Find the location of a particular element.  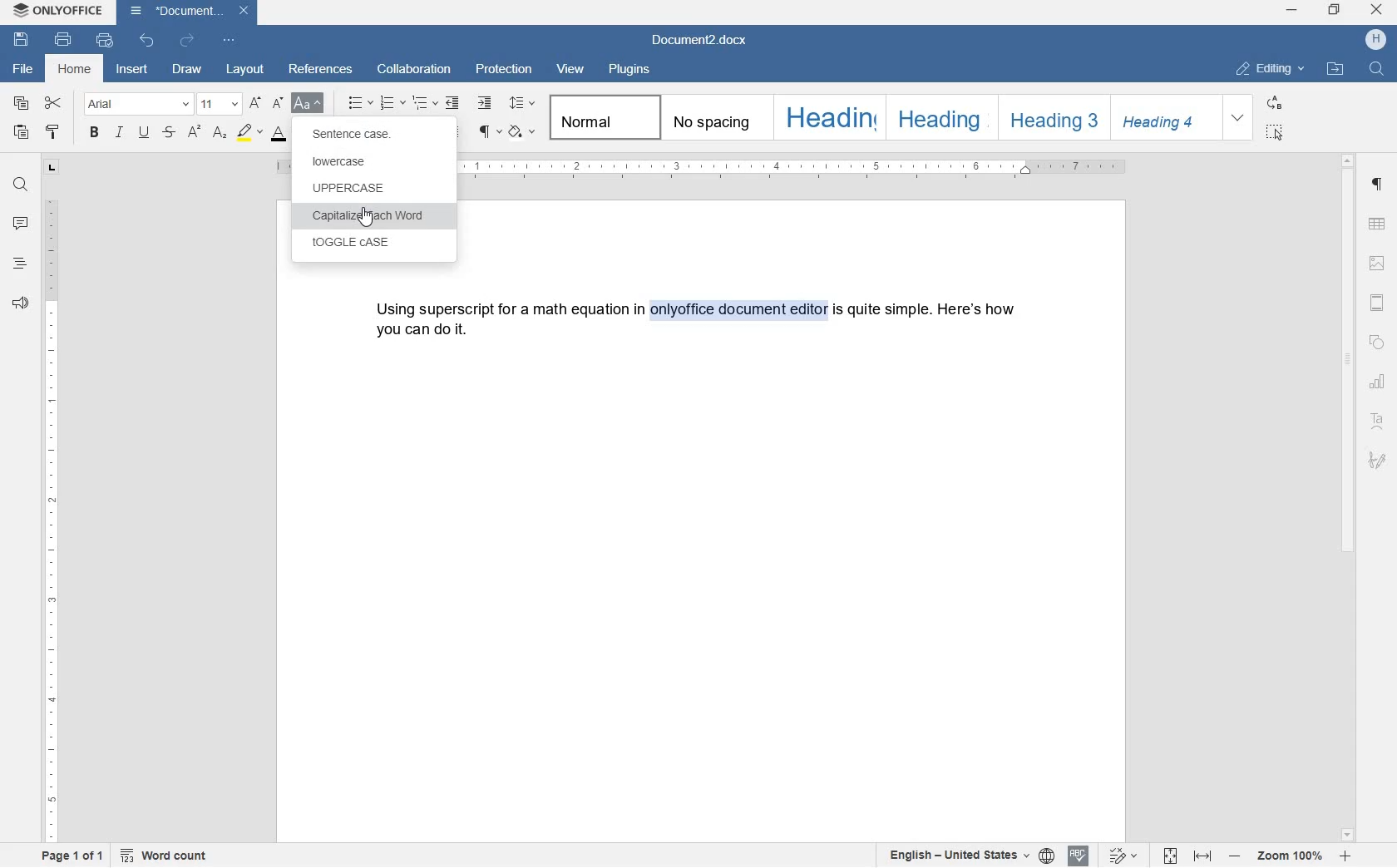

find is located at coordinates (20, 181).